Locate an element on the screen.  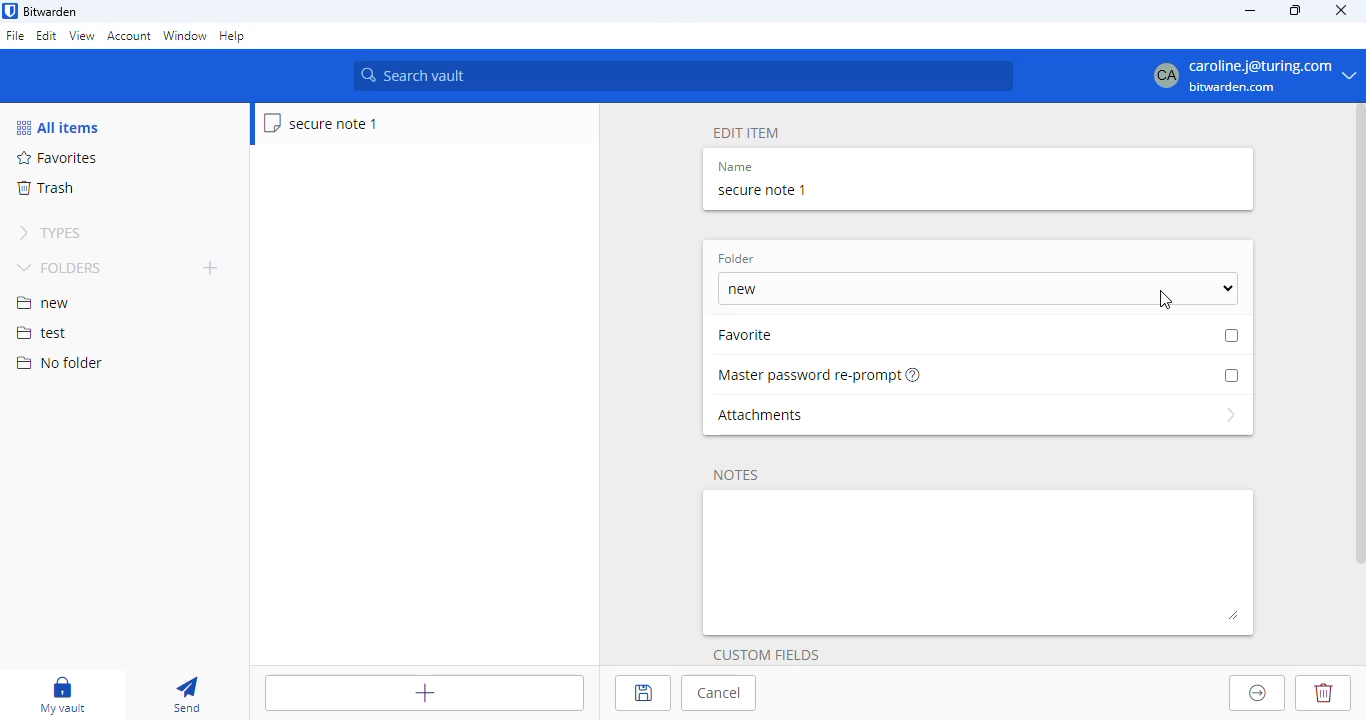
edit is located at coordinates (47, 35).